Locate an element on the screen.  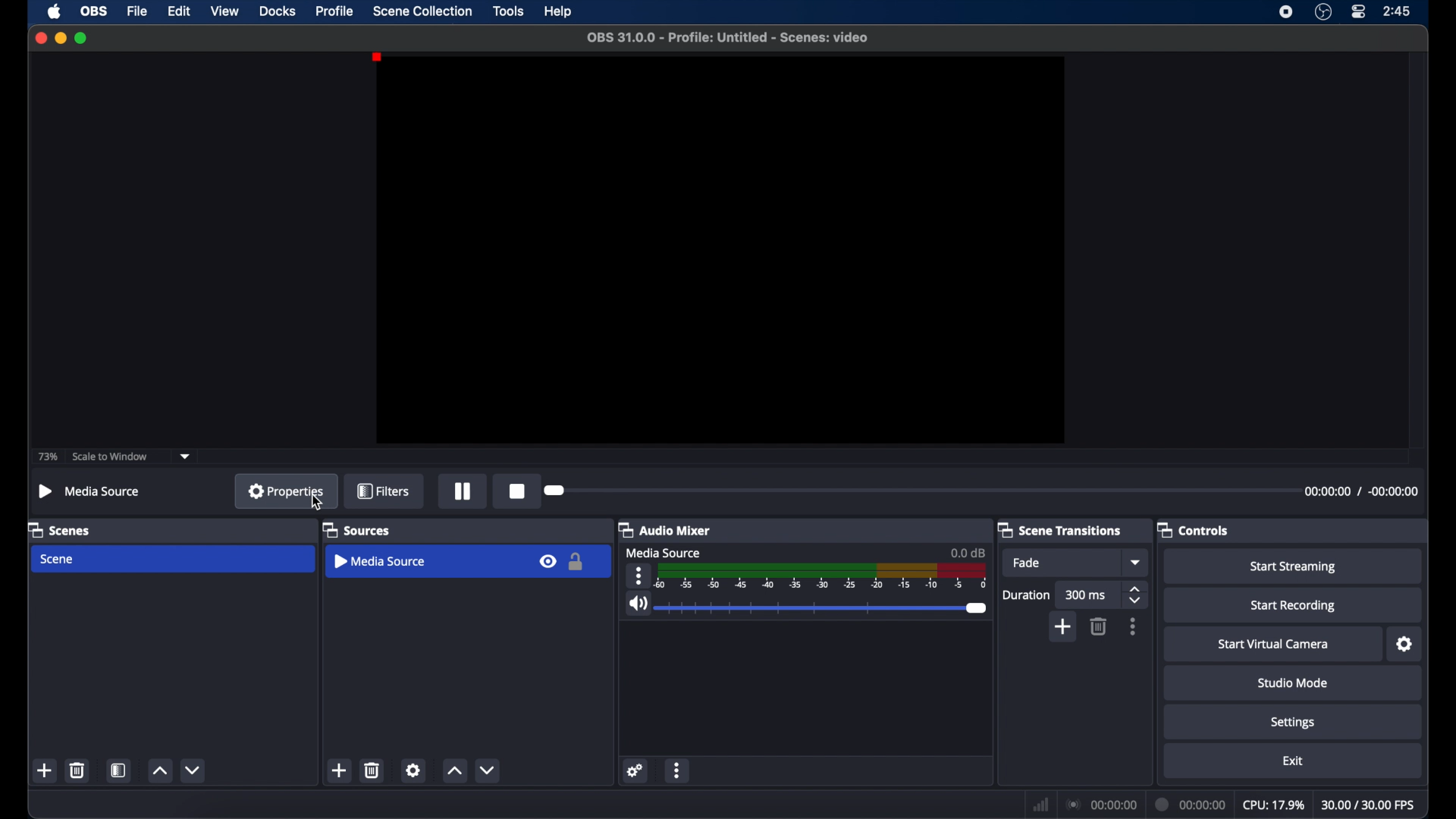
volume is located at coordinates (637, 604).